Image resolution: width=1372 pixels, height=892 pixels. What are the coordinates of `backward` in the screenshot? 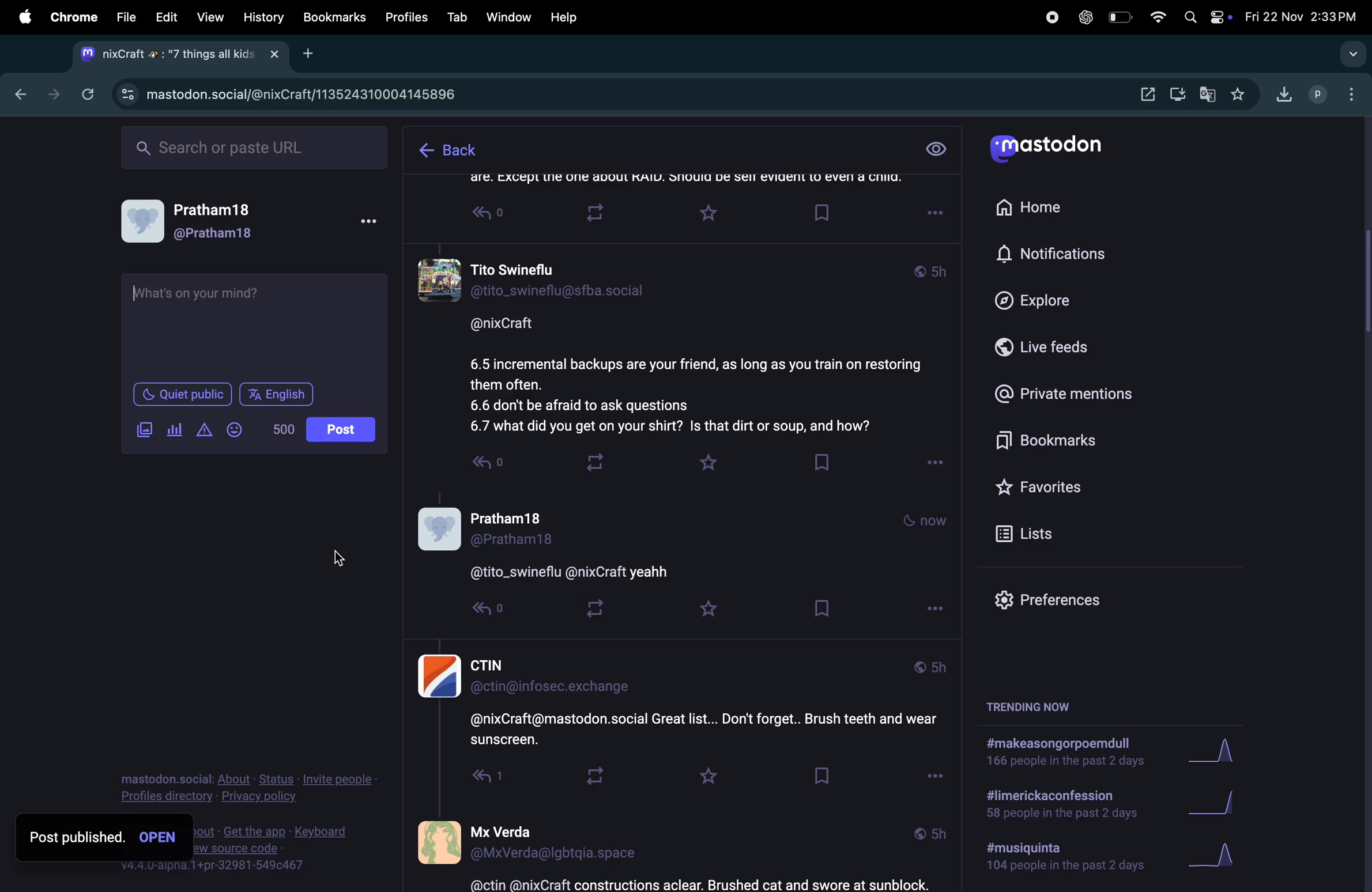 It's located at (16, 95).